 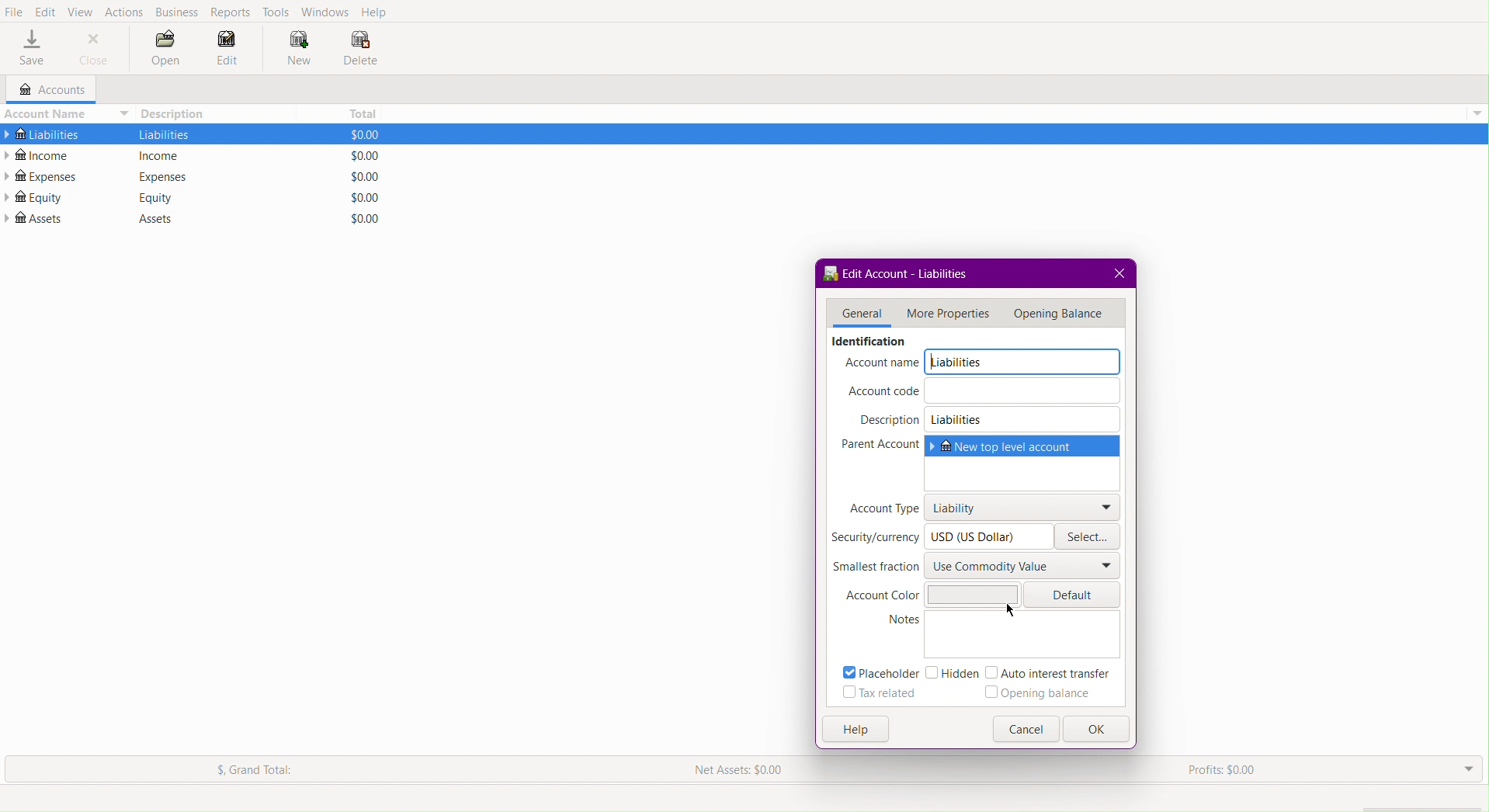 What do you see at coordinates (952, 674) in the screenshot?
I see `Hidden` at bounding box center [952, 674].